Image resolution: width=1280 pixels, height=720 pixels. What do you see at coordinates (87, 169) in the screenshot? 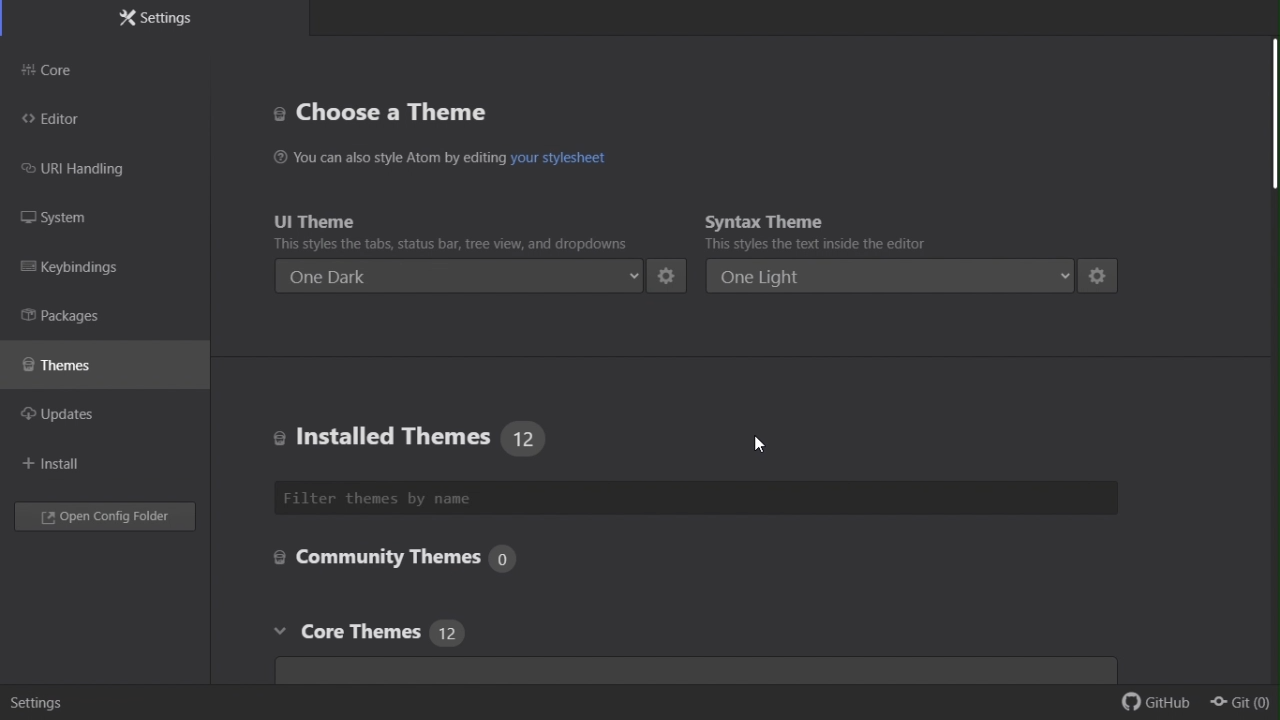
I see `FREE TRIAL EXPIREDURL handling` at bounding box center [87, 169].